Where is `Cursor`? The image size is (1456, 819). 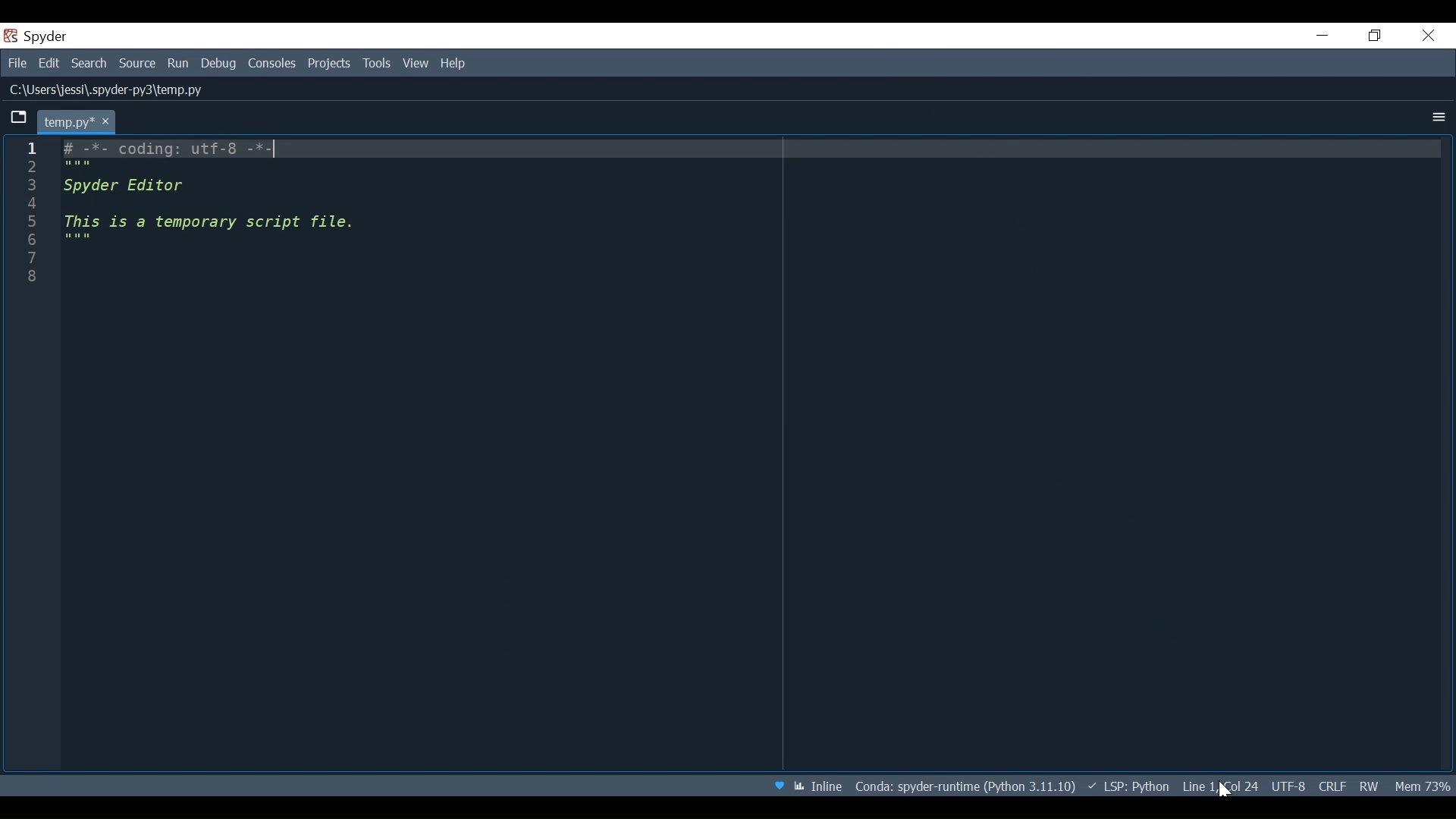 Cursor is located at coordinates (1222, 789).